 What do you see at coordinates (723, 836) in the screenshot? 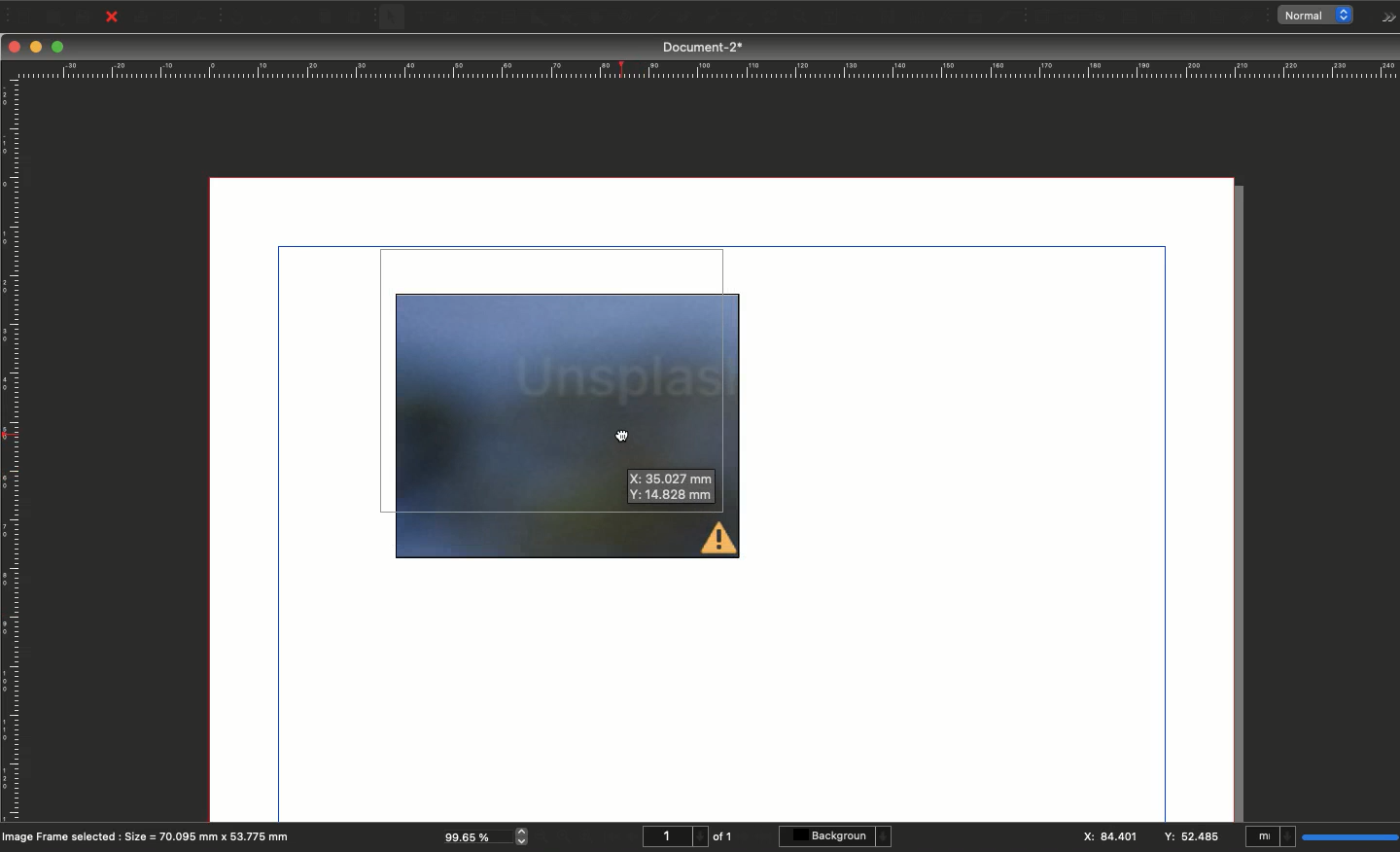
I see `of 1` at bounding box center [723, 836].